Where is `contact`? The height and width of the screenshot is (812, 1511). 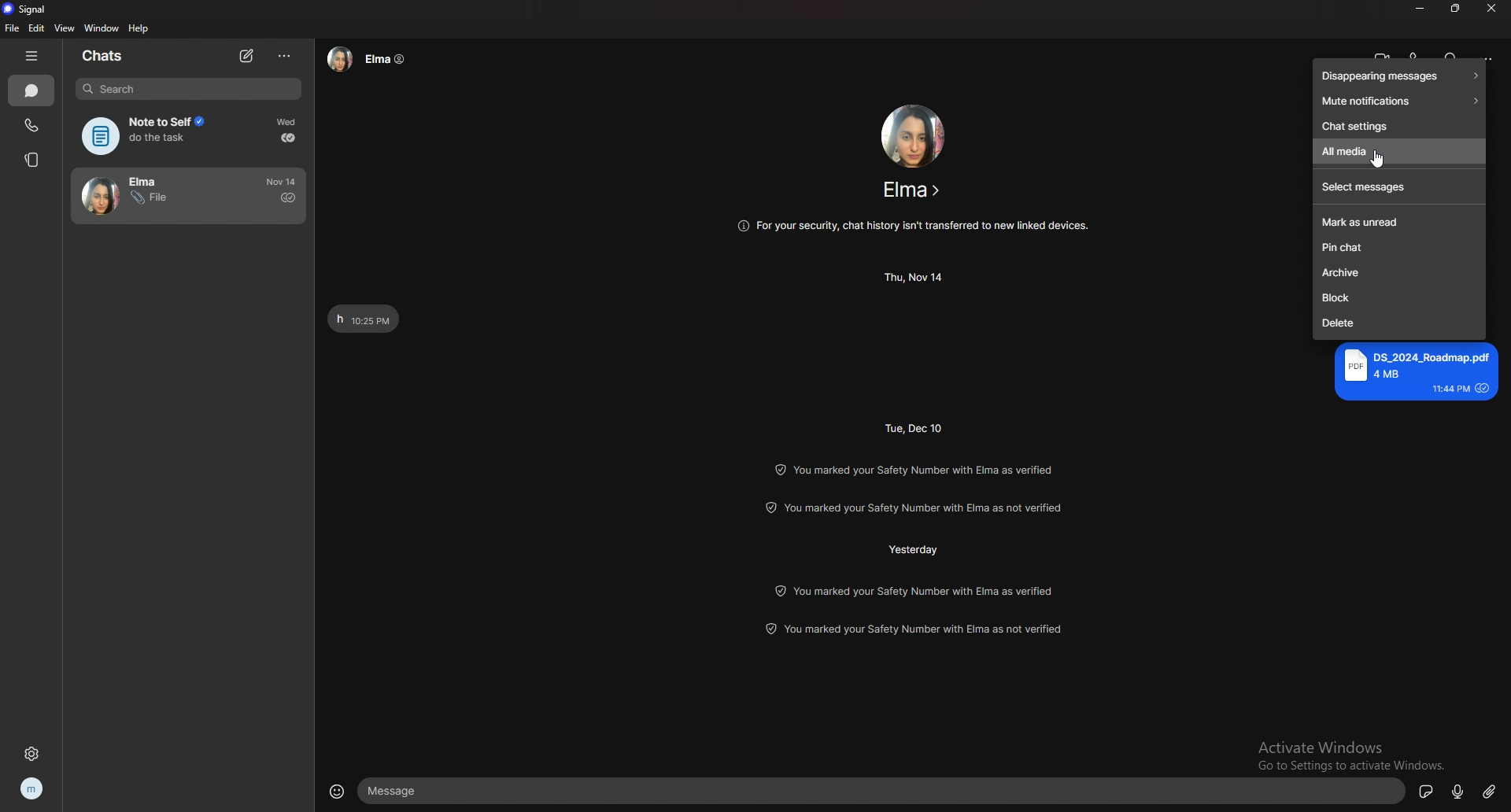
contact is located at coordinates (155, 196).